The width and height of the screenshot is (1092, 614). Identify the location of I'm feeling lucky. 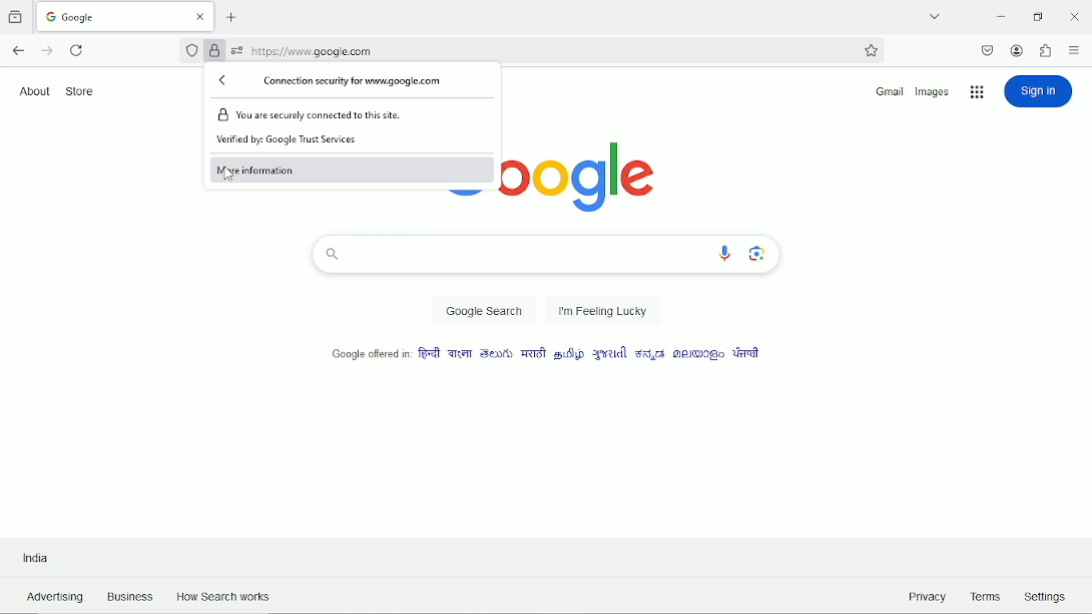
(603, 311).